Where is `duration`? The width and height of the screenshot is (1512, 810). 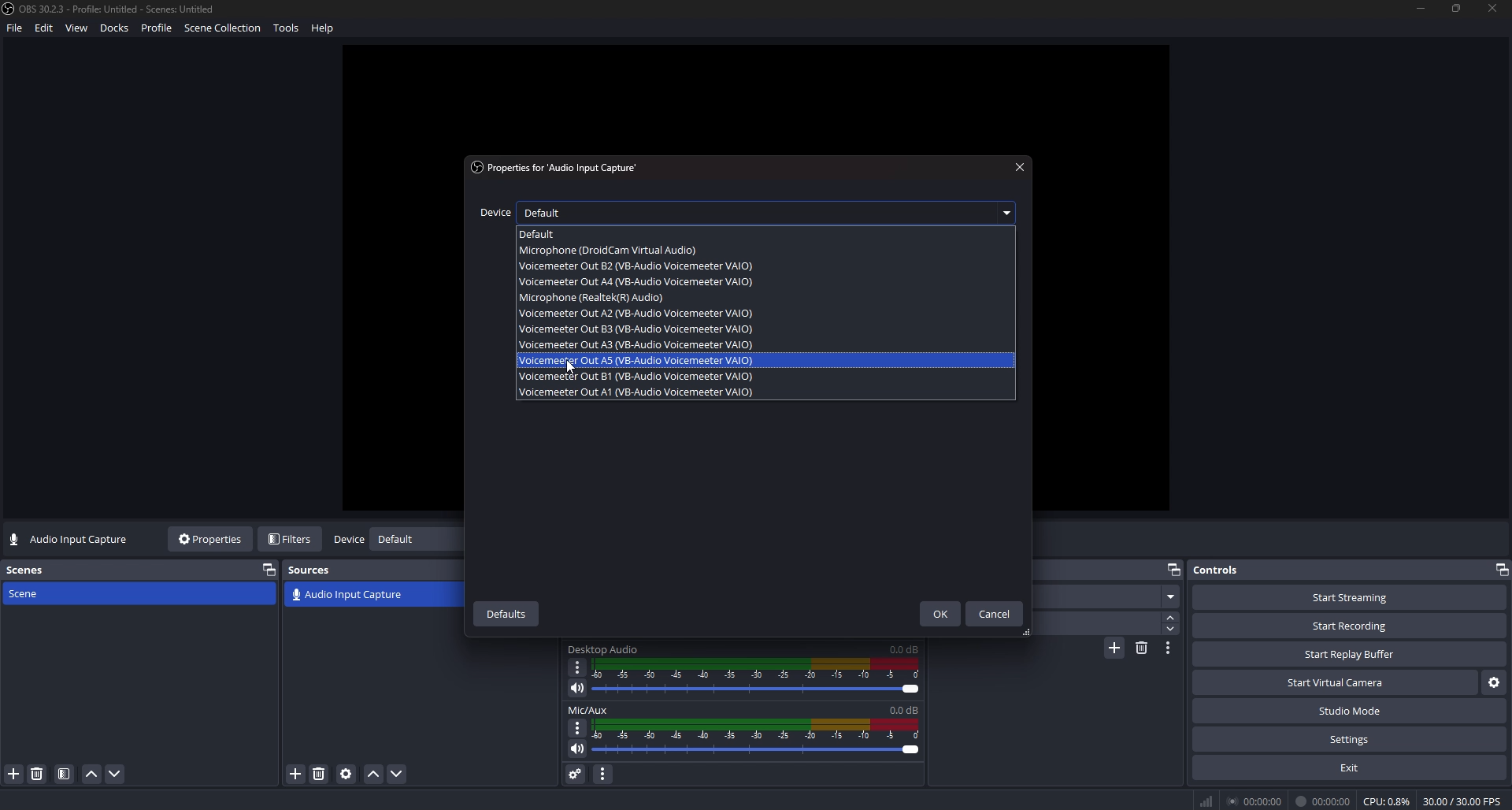
duration is located at coordinates (1094, 624).